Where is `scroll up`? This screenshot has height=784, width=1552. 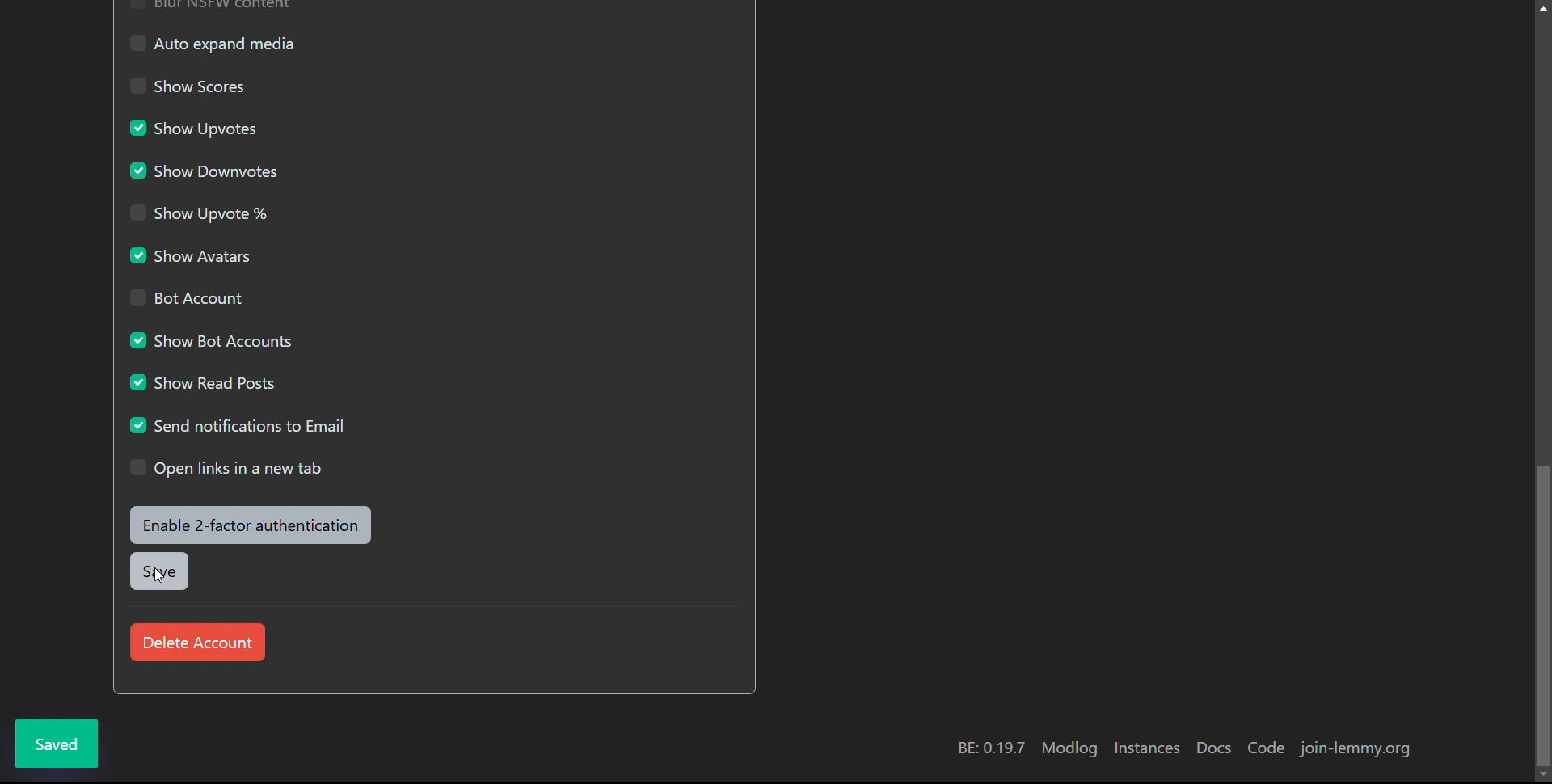
scroll up is located at coordinates (1542, 6).